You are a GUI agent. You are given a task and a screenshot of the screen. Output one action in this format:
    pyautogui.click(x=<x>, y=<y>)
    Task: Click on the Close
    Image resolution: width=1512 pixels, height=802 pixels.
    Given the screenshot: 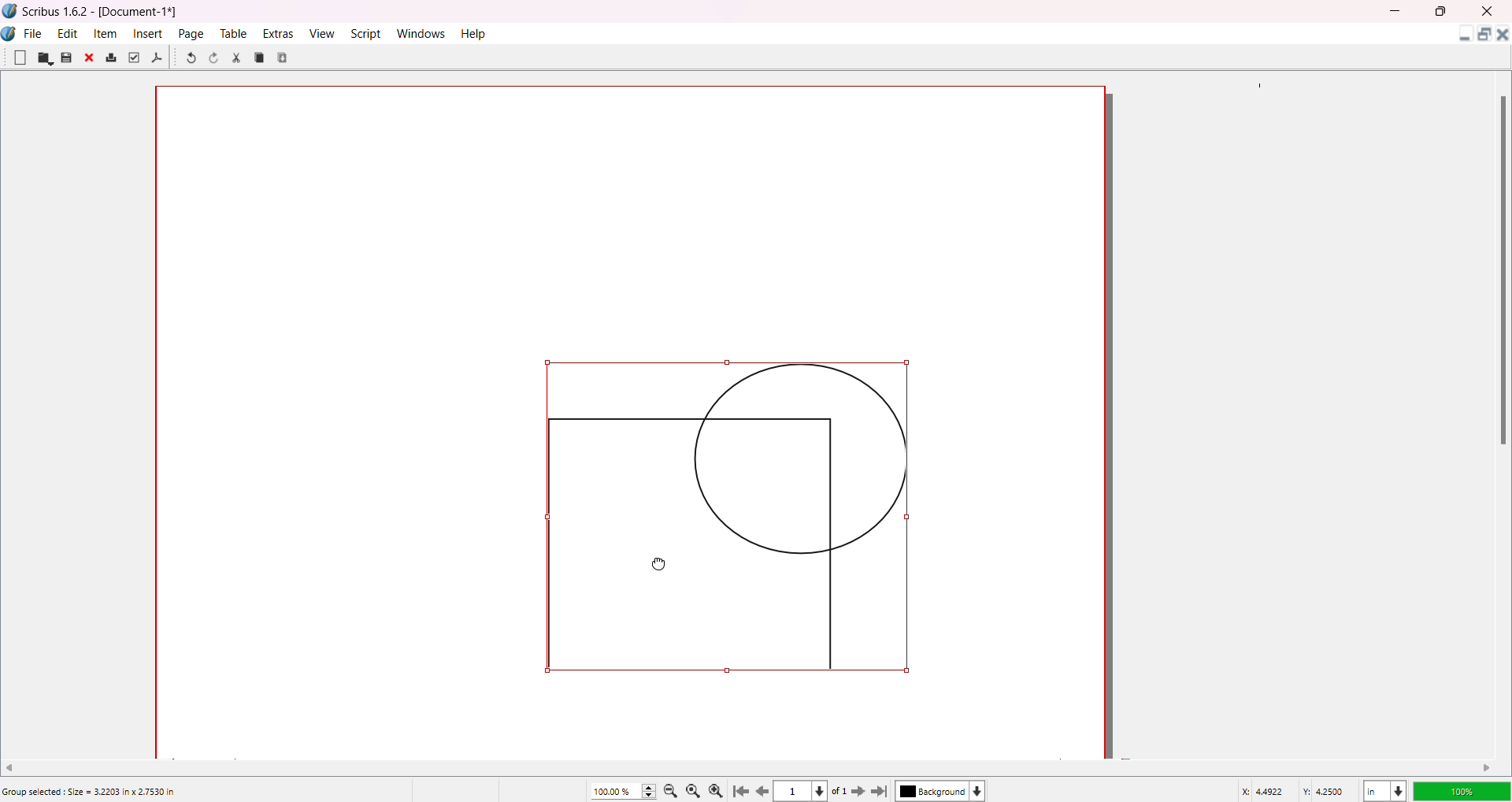 What is the action you would take?
    pyautogui.click(x=91, y=59)
    